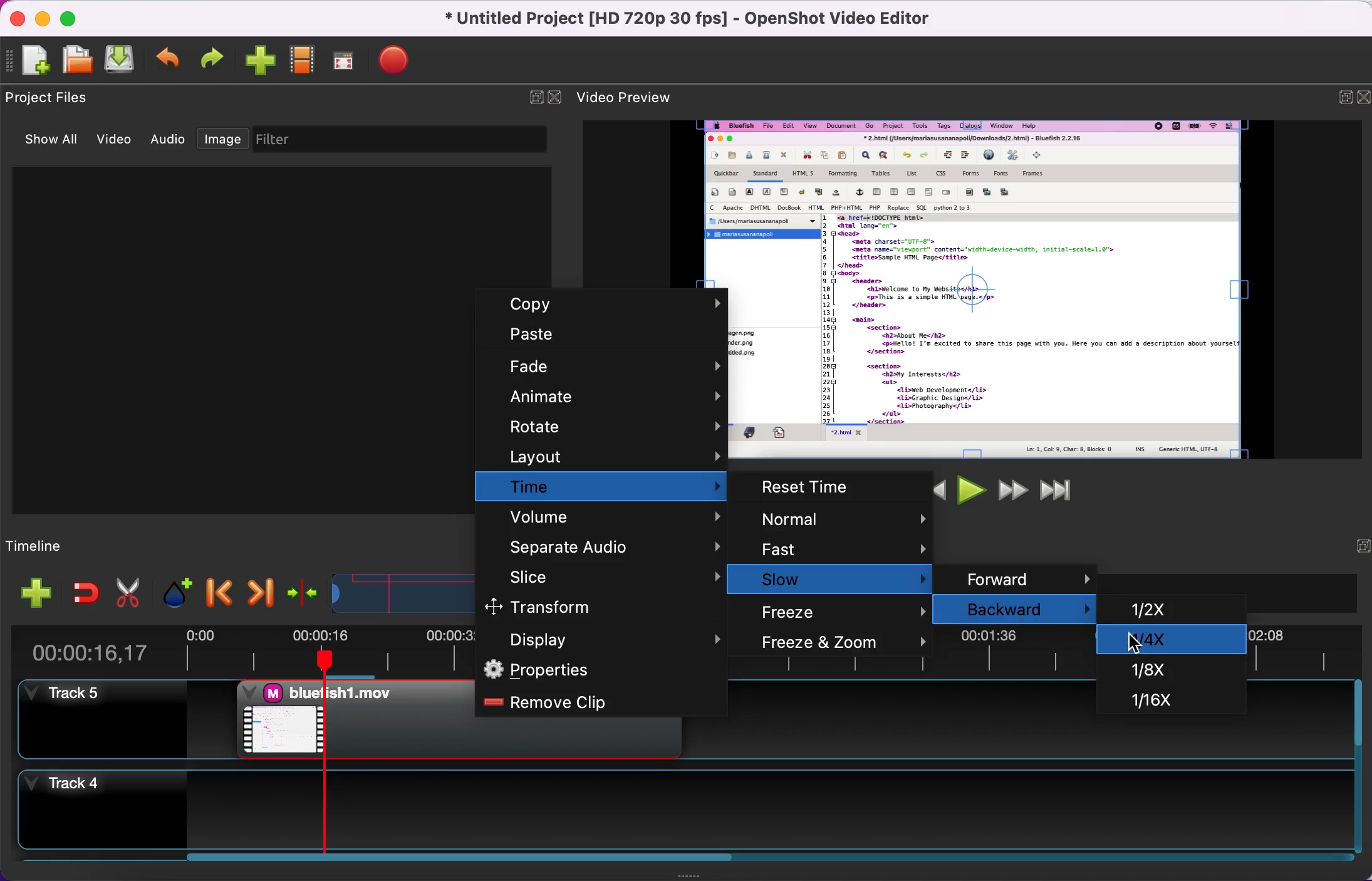 The height and width of the screenshot is (881, 1372). What do you see at coordinates (605, 365) in the screenshot?
I see `fade` at bounding box center [605, 365].